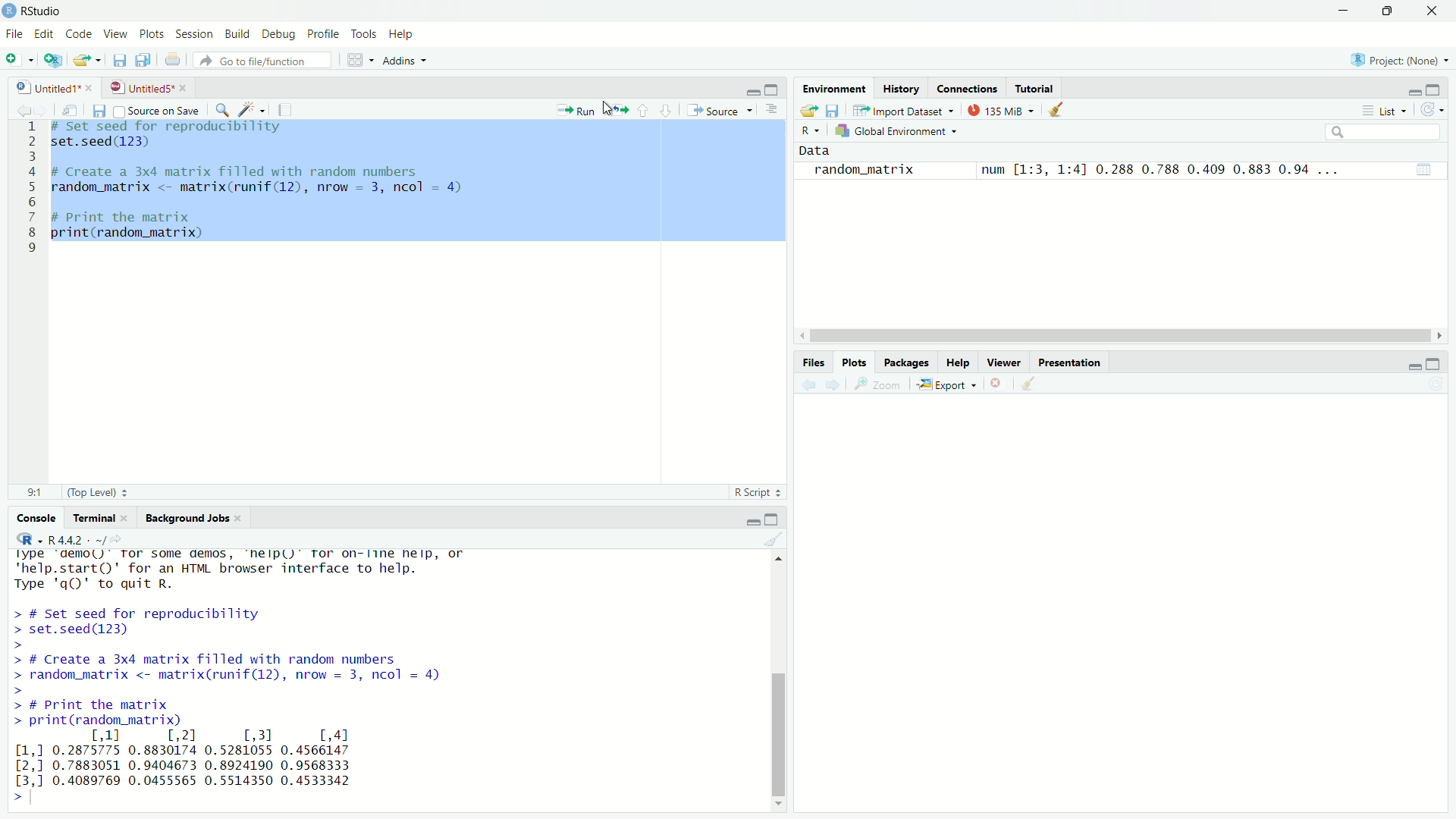  Describe the element at coordinates (905, 88) in the screenshot. I see `History` at that location.